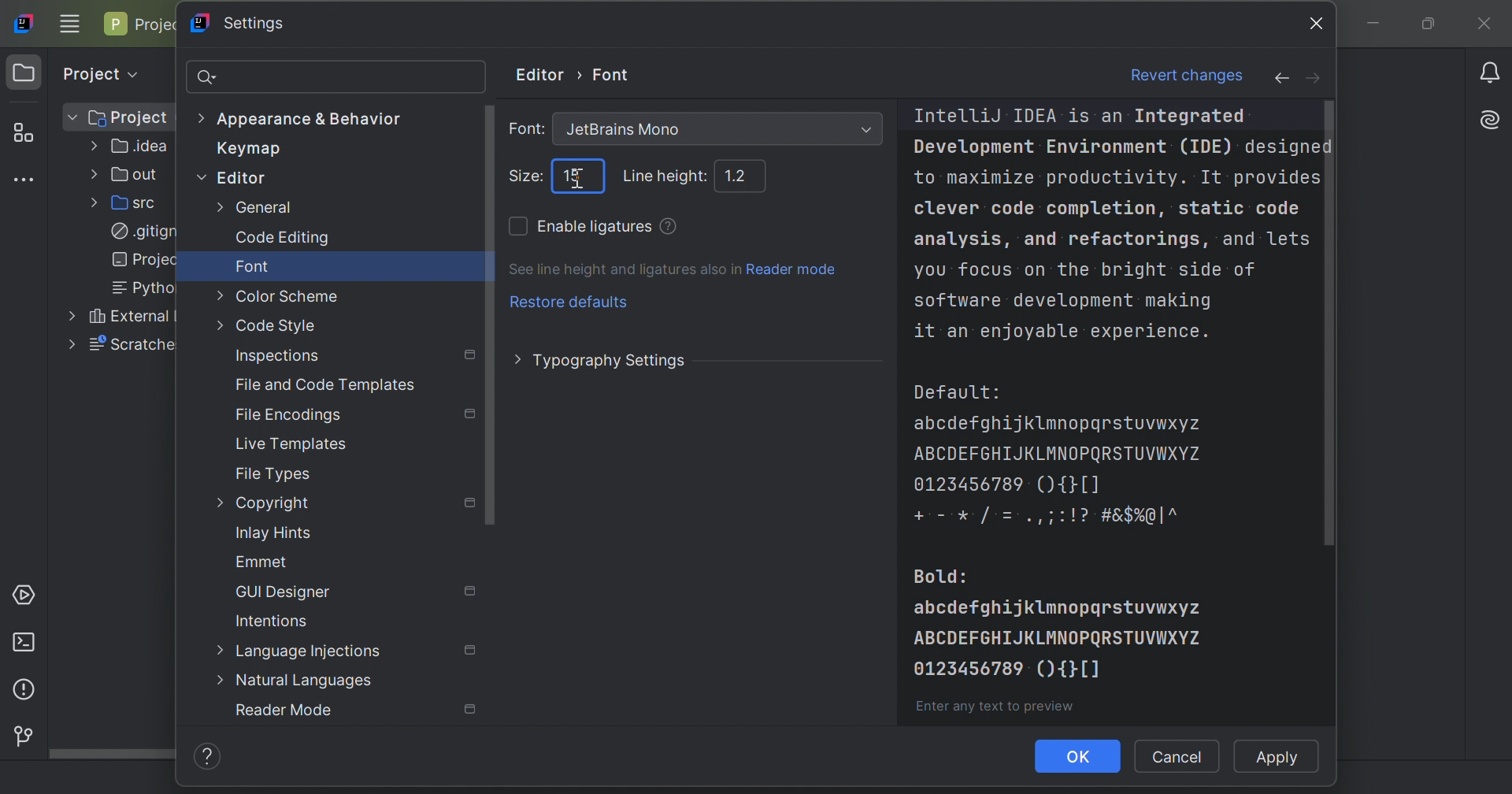 Image resolution: width=1512 pixels, height=794 pixels. Describe the element at coordinates (472, 651) in the screenshot. I see `Settings marked with this icon are only applied to the current project. Non-marked settings are applied to all projects.` at that location.